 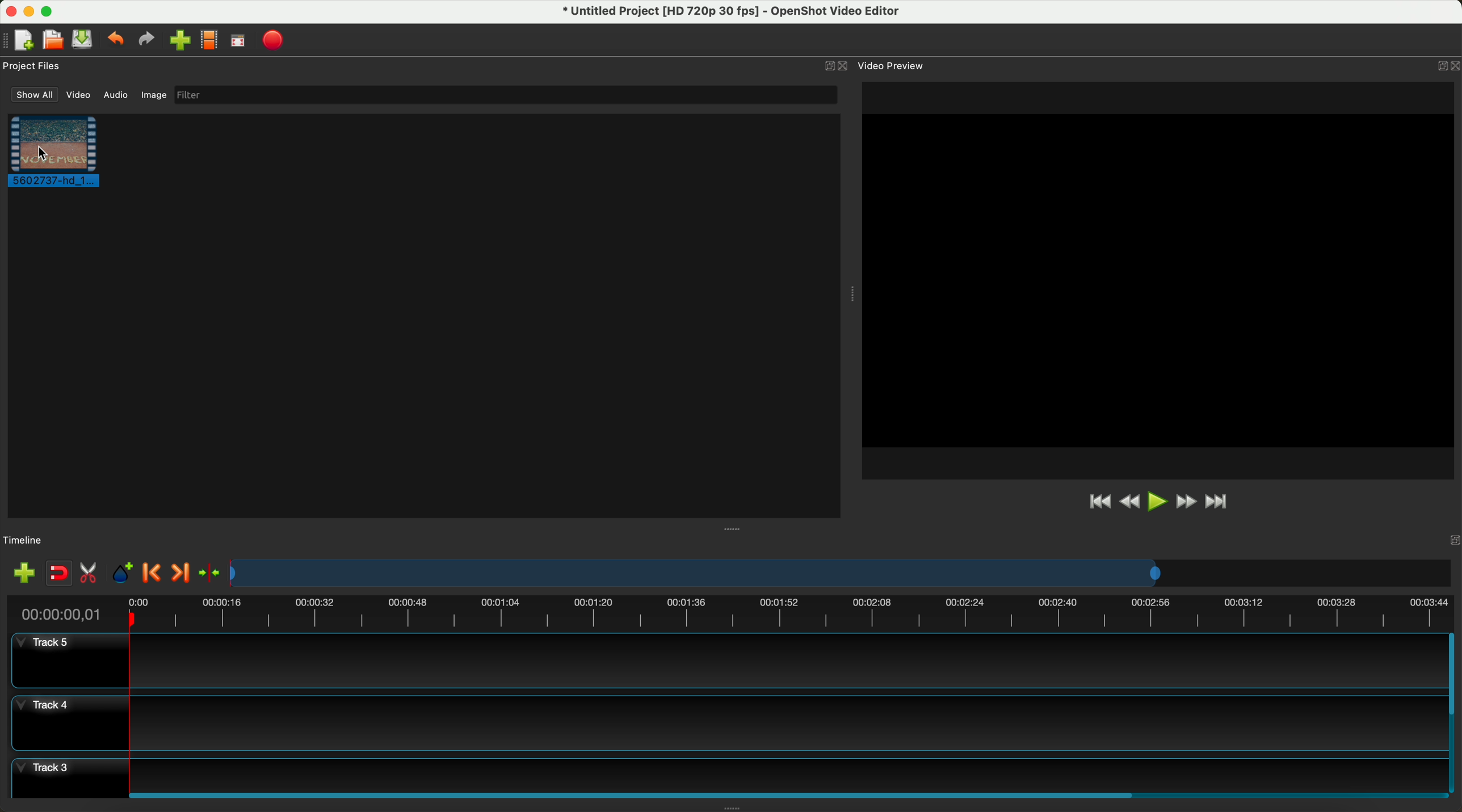 What do you see at coordinates (216, 573) in the screenshot?
I see `center the timeline on the playhead` at bounding box center [216, 573].